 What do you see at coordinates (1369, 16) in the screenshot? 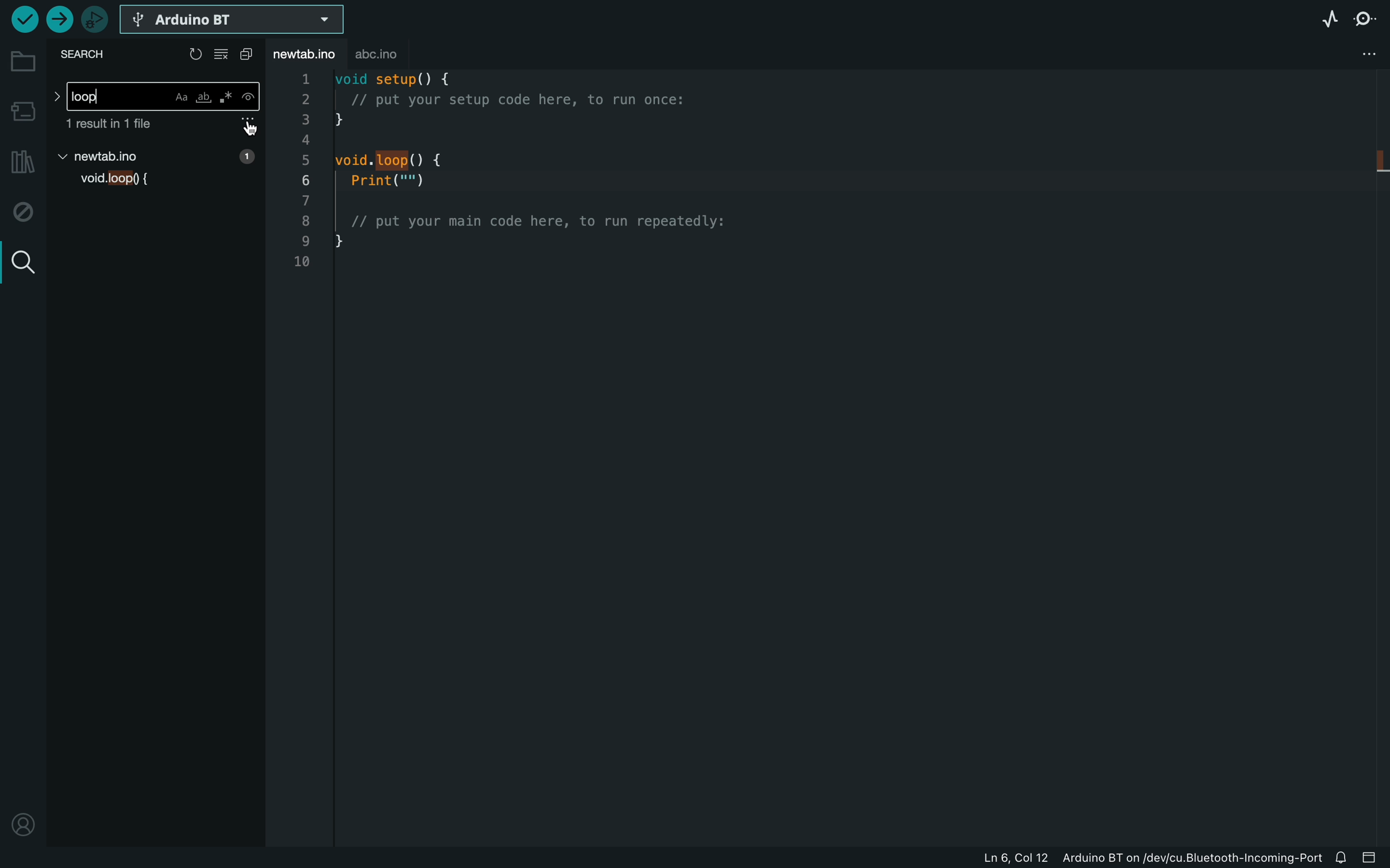
I see `serial monitor` at bounding box center [1369, 16].